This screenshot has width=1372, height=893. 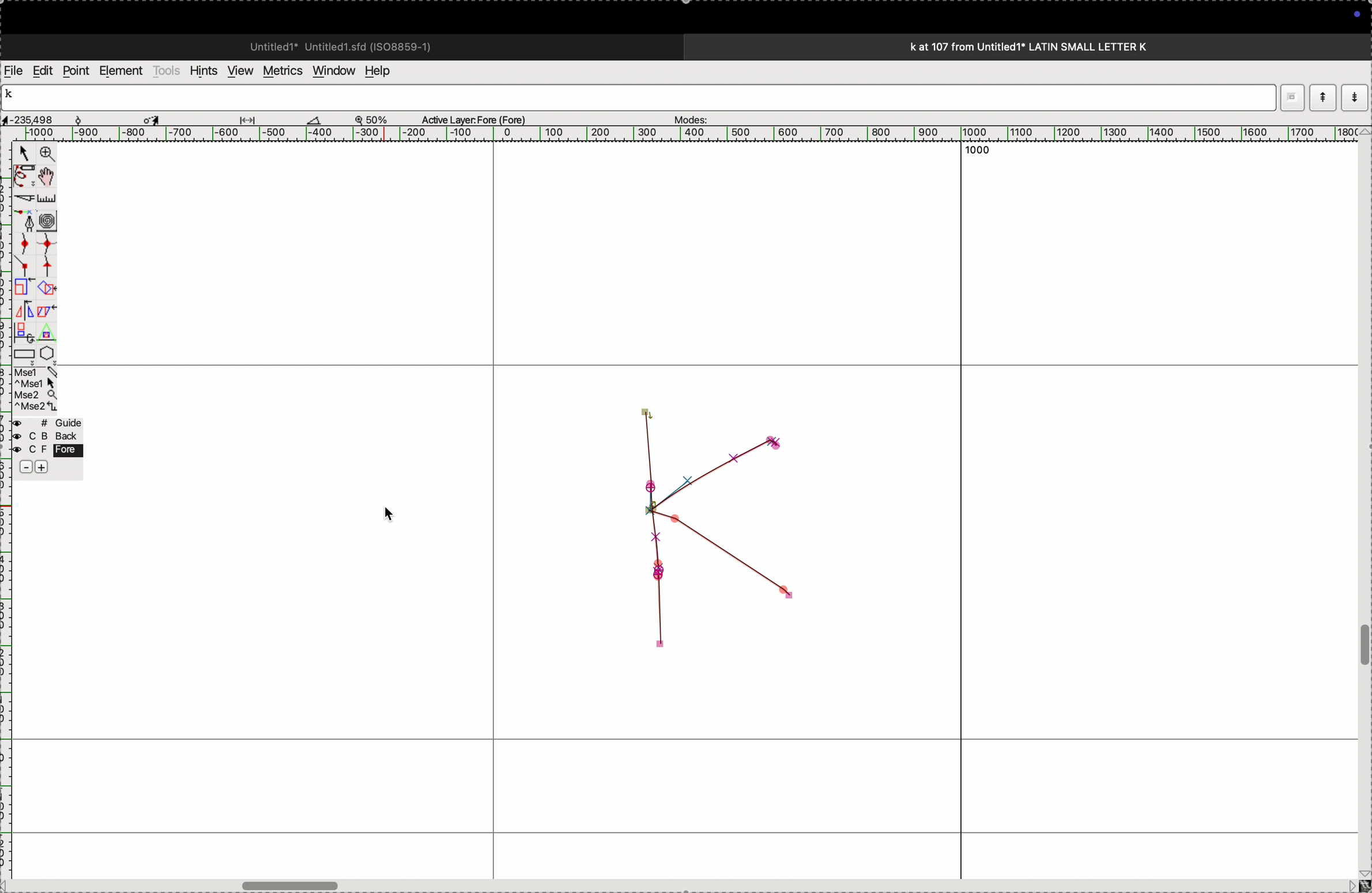 What do you see at coordinates (388, 511) in the screenshot?
I see `cursor` at bounding box center [388, 511].